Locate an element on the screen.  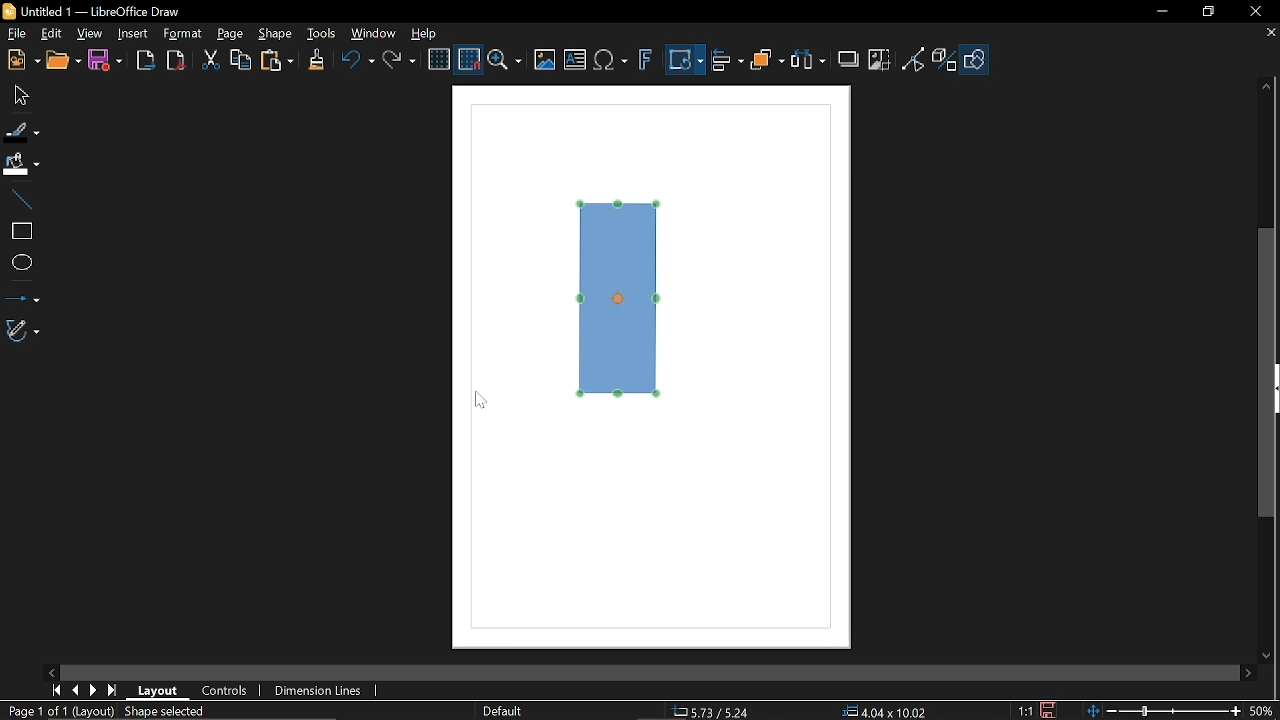
1:1 (Scaling factor) is located at coordinates (1025, 711).